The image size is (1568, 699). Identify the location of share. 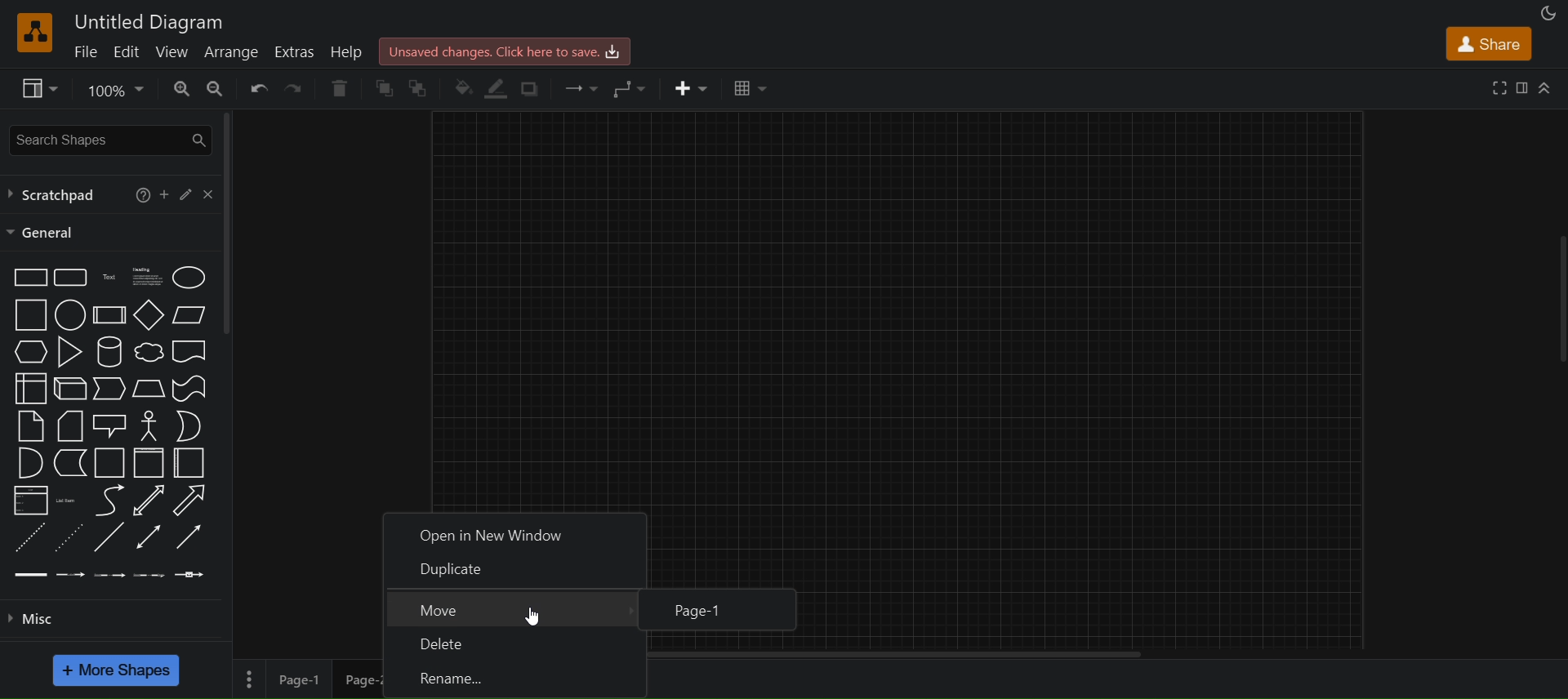
(1490, 42).